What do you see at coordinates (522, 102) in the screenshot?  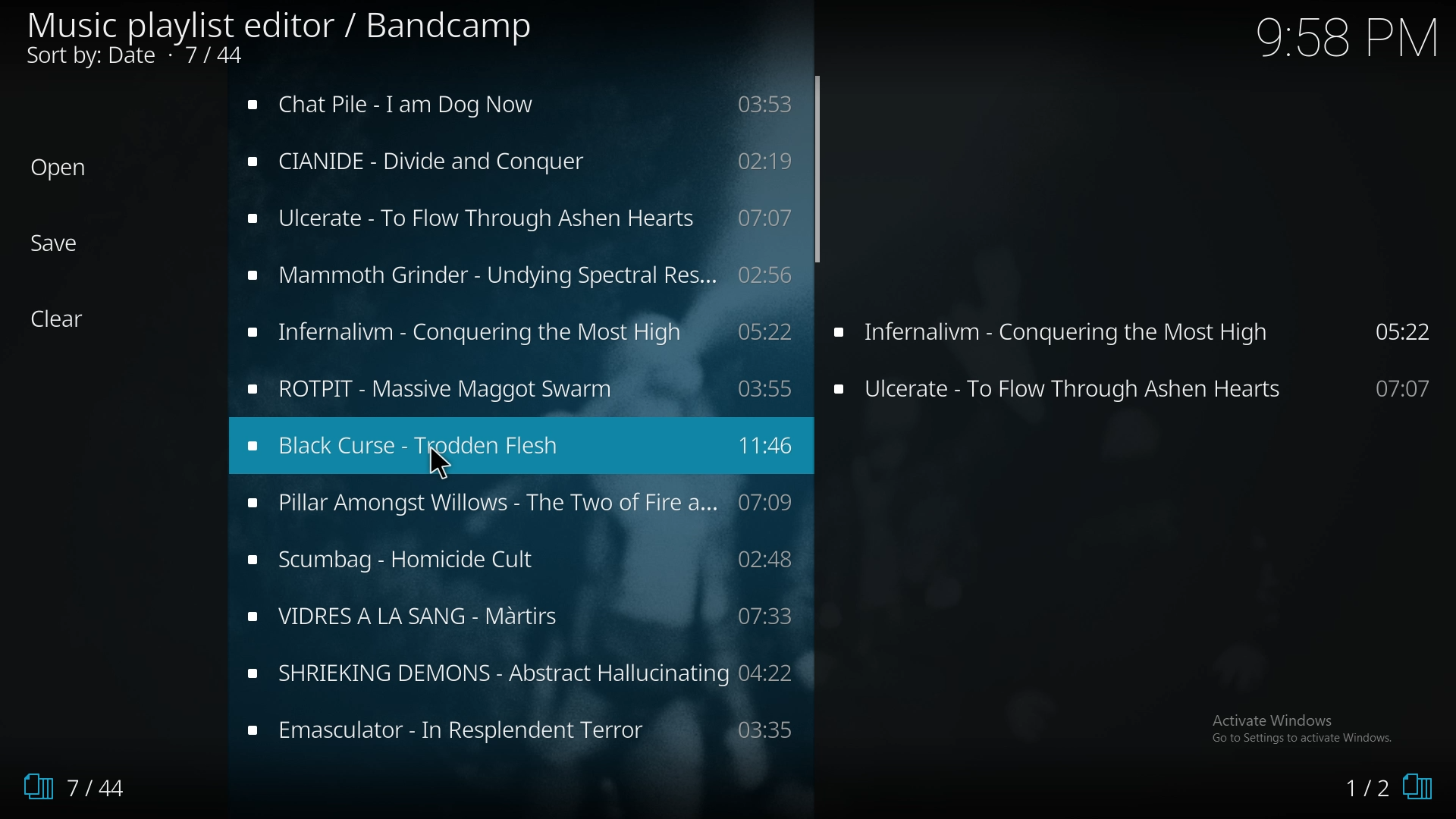 I see `music` at bounding box center [522, 102].